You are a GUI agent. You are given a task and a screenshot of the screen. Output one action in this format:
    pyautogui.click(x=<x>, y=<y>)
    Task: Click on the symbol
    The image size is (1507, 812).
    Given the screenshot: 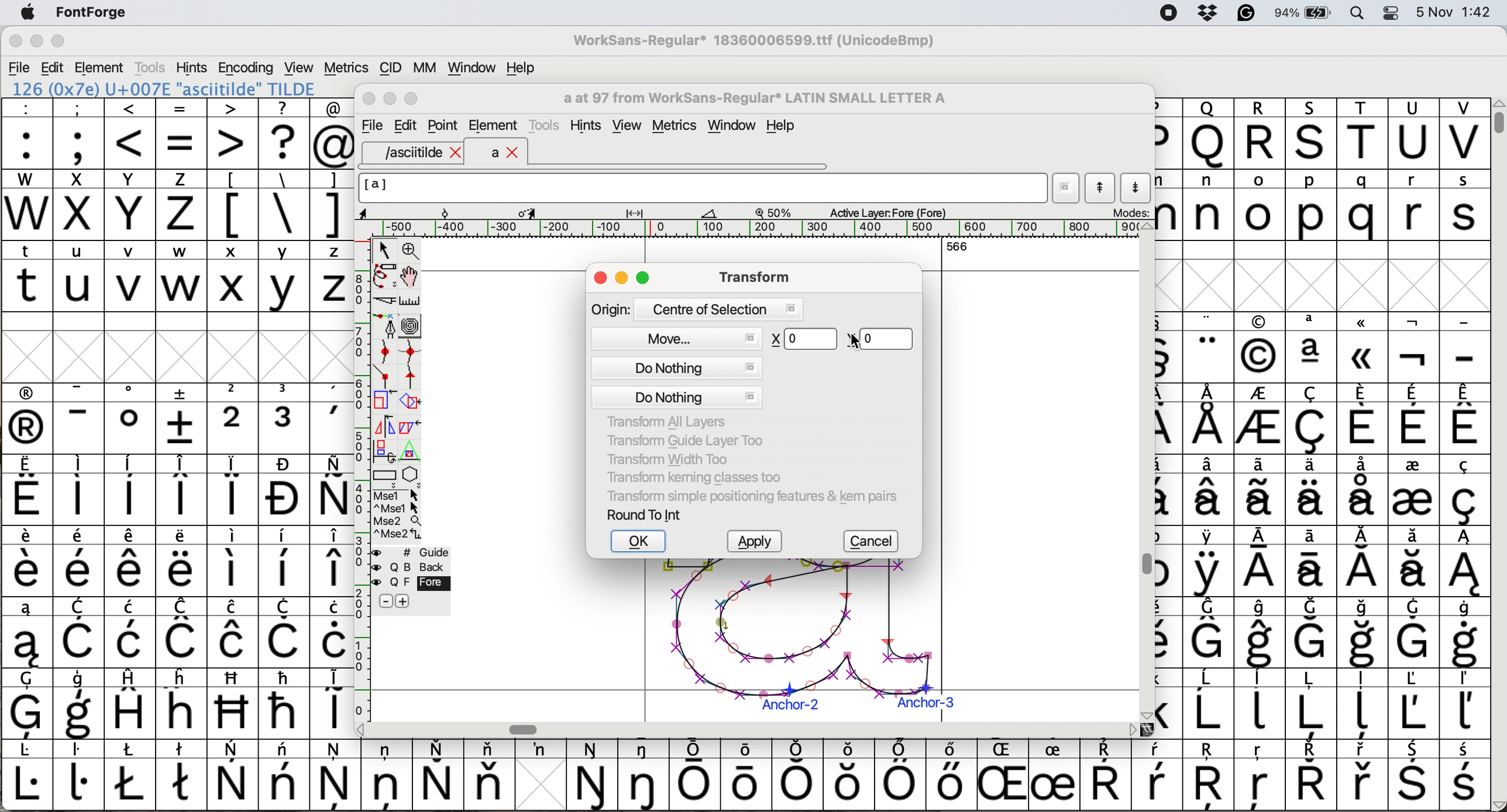 What is the action you would take?
    pyautogui.click(x=284, y=562)
    